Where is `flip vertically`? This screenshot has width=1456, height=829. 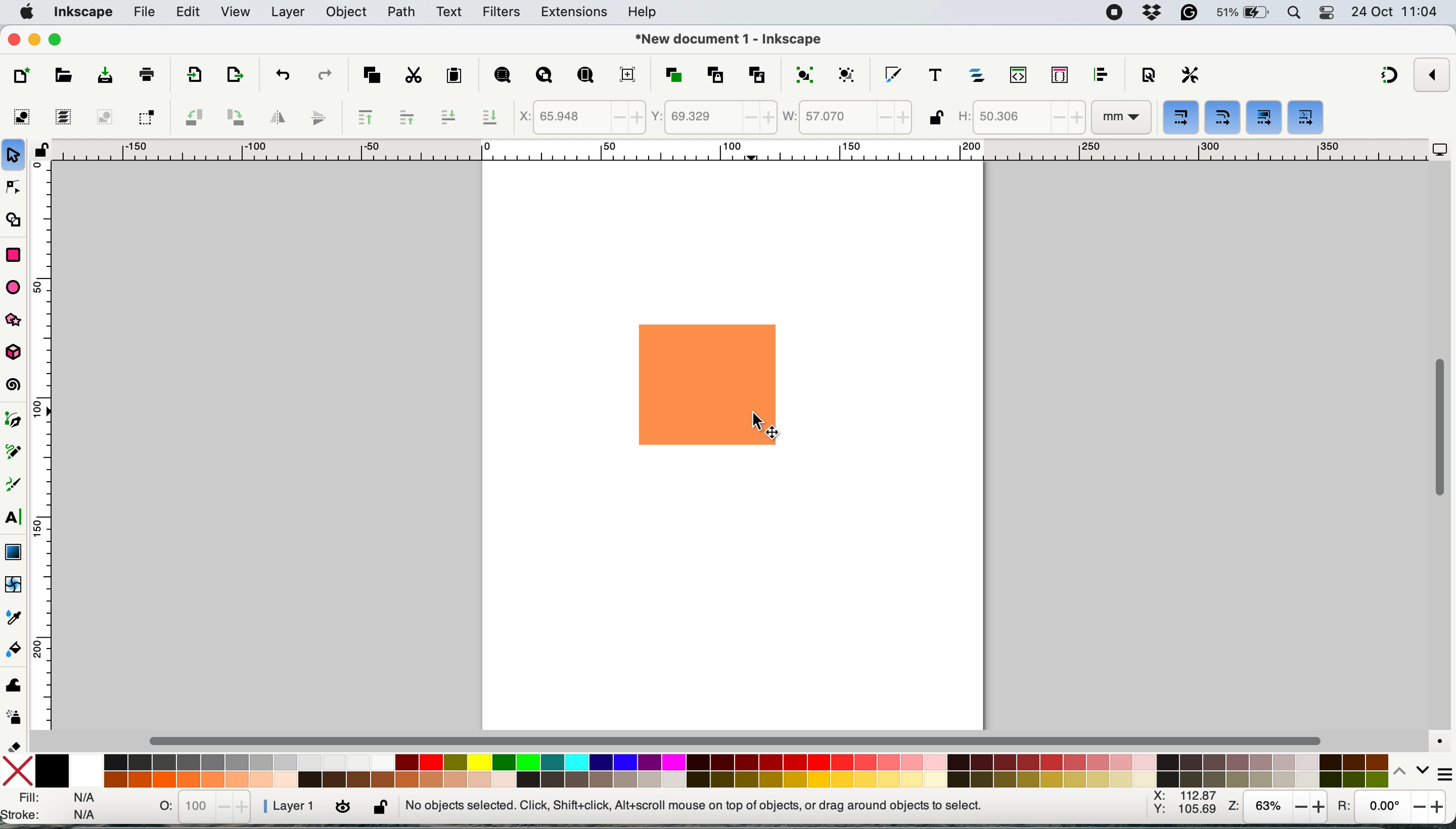 flip vertically is located at coordinates (314, 117).